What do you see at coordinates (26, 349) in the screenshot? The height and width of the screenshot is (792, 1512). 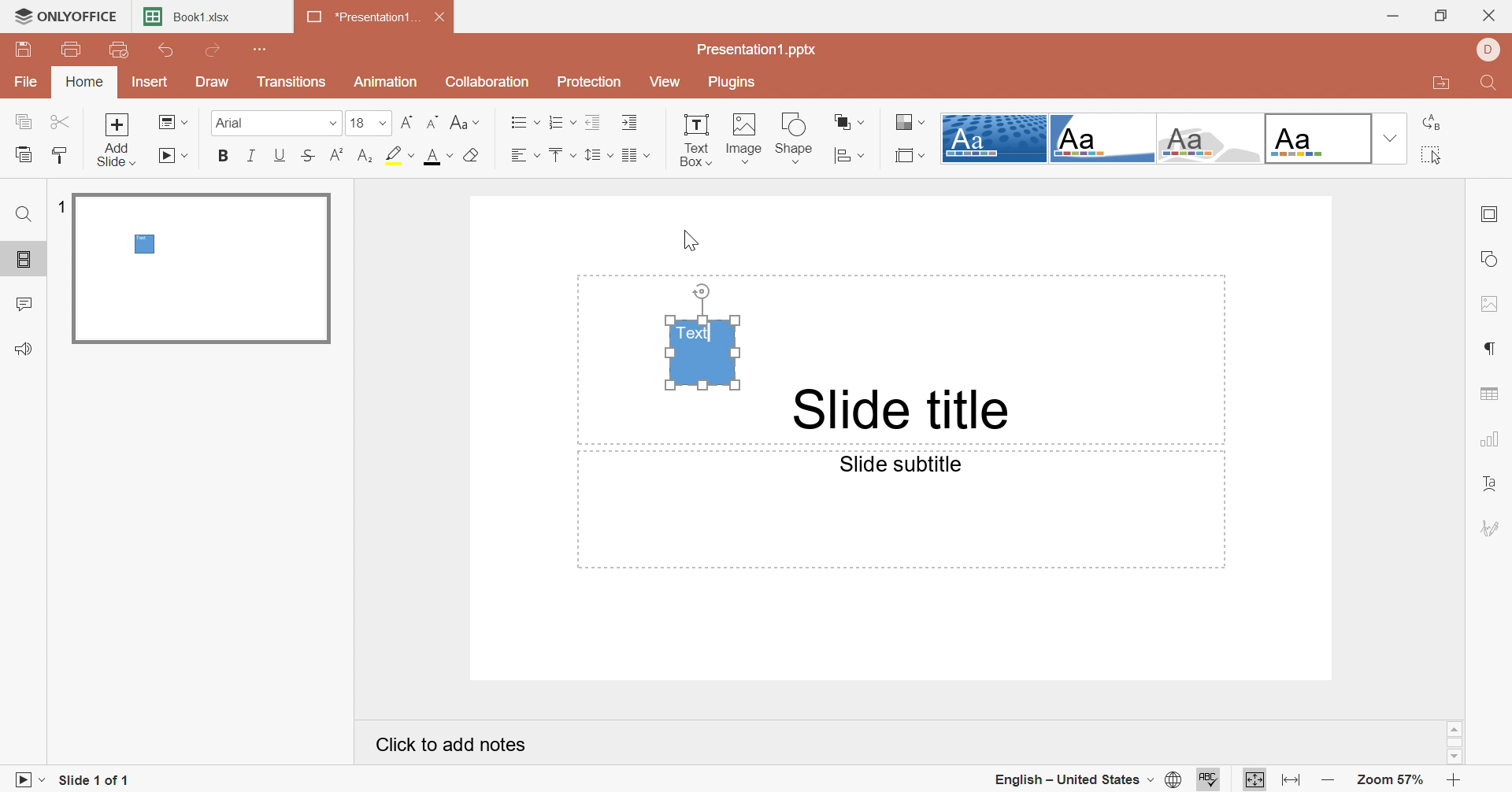 I see `Feedback & Support` at bounding box center [26, 349].